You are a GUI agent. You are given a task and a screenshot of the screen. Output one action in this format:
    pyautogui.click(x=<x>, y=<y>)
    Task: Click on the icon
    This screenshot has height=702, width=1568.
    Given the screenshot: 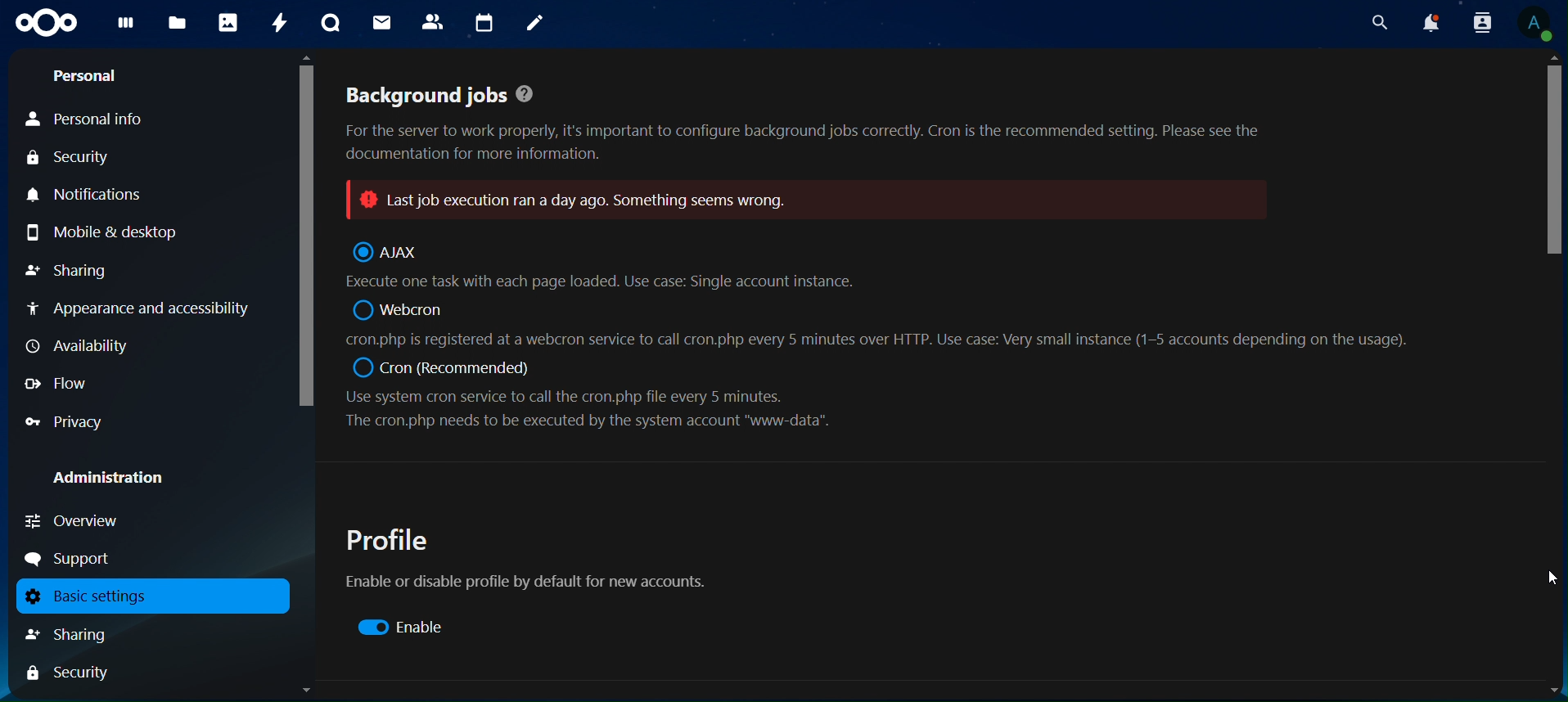 What is the action you would take?
    pyautogui.click(x=47, y=23)
    